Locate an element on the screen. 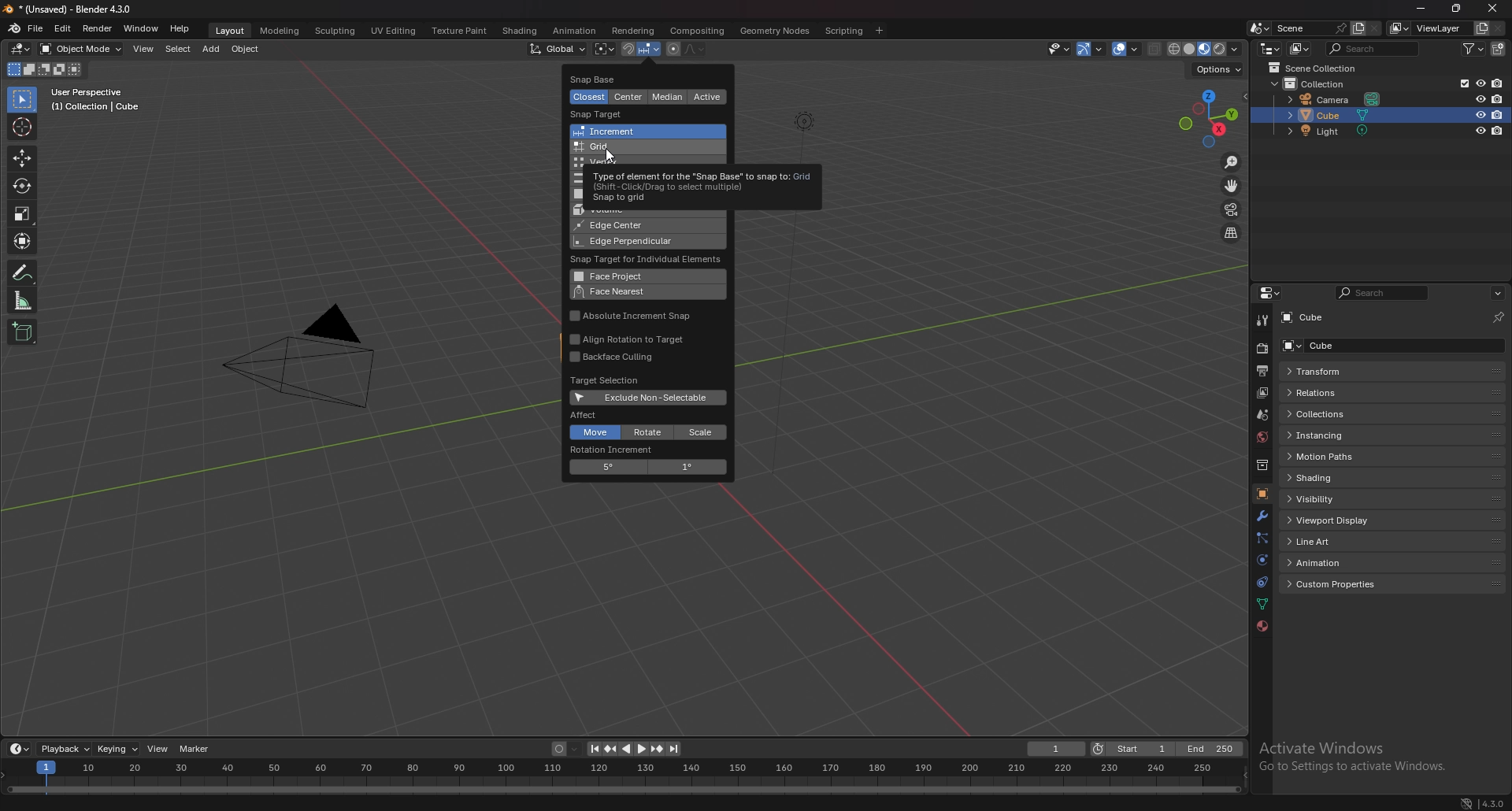 Image resolution: width=1512 pixels, height=811 pixels. collections is located at coordinates (1336, 414).